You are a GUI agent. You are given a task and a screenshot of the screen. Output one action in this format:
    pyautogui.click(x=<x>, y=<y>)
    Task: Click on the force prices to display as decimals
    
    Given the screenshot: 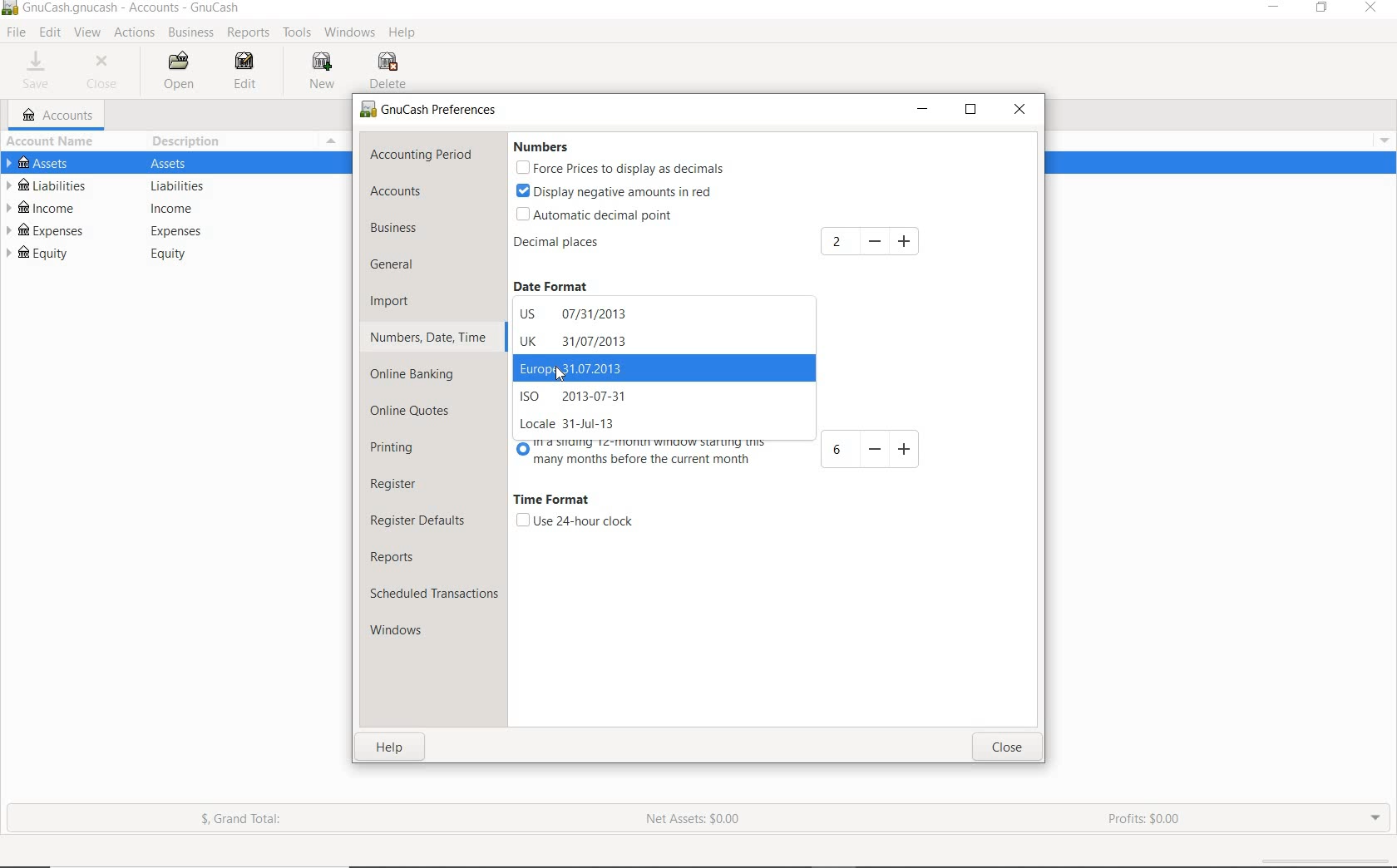 What is the action you would take?
    pyautogui.click(x=620, y=170)
    